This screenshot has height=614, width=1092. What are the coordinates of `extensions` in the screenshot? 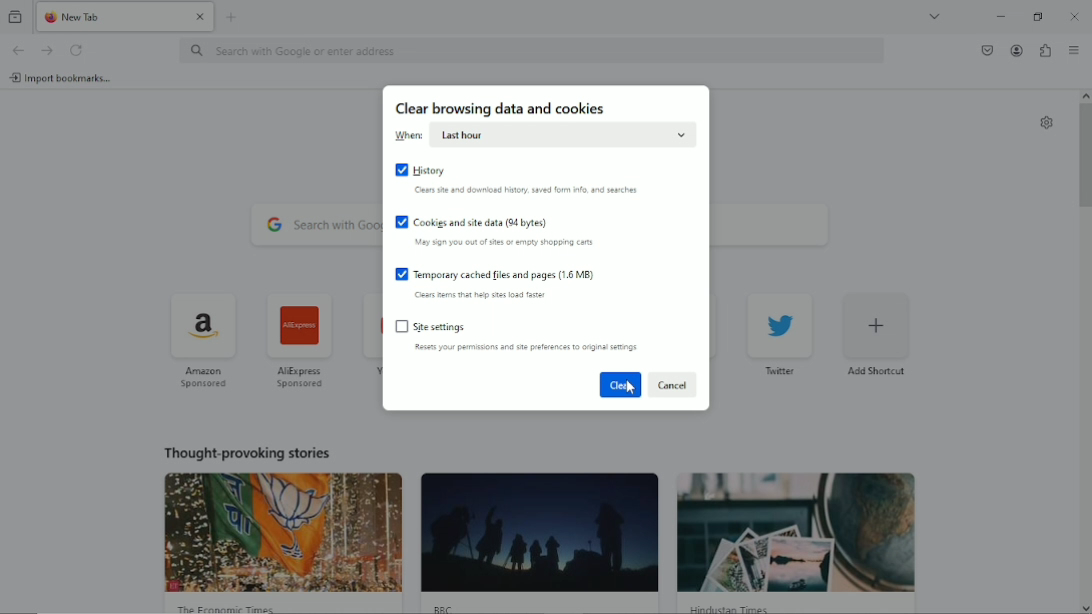 It's located at (1045, 50).